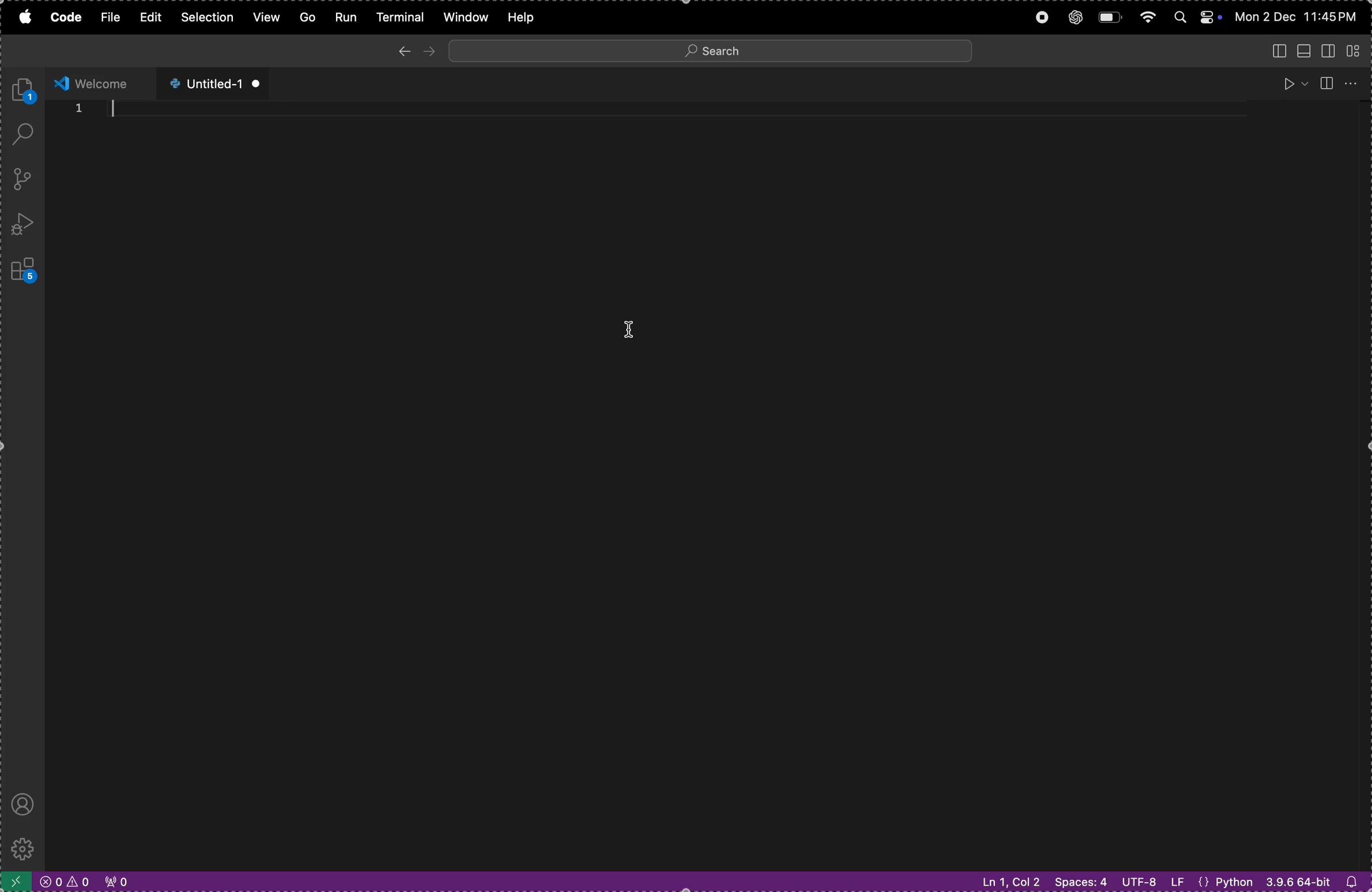  I want to click on run, so click(1292, 83).